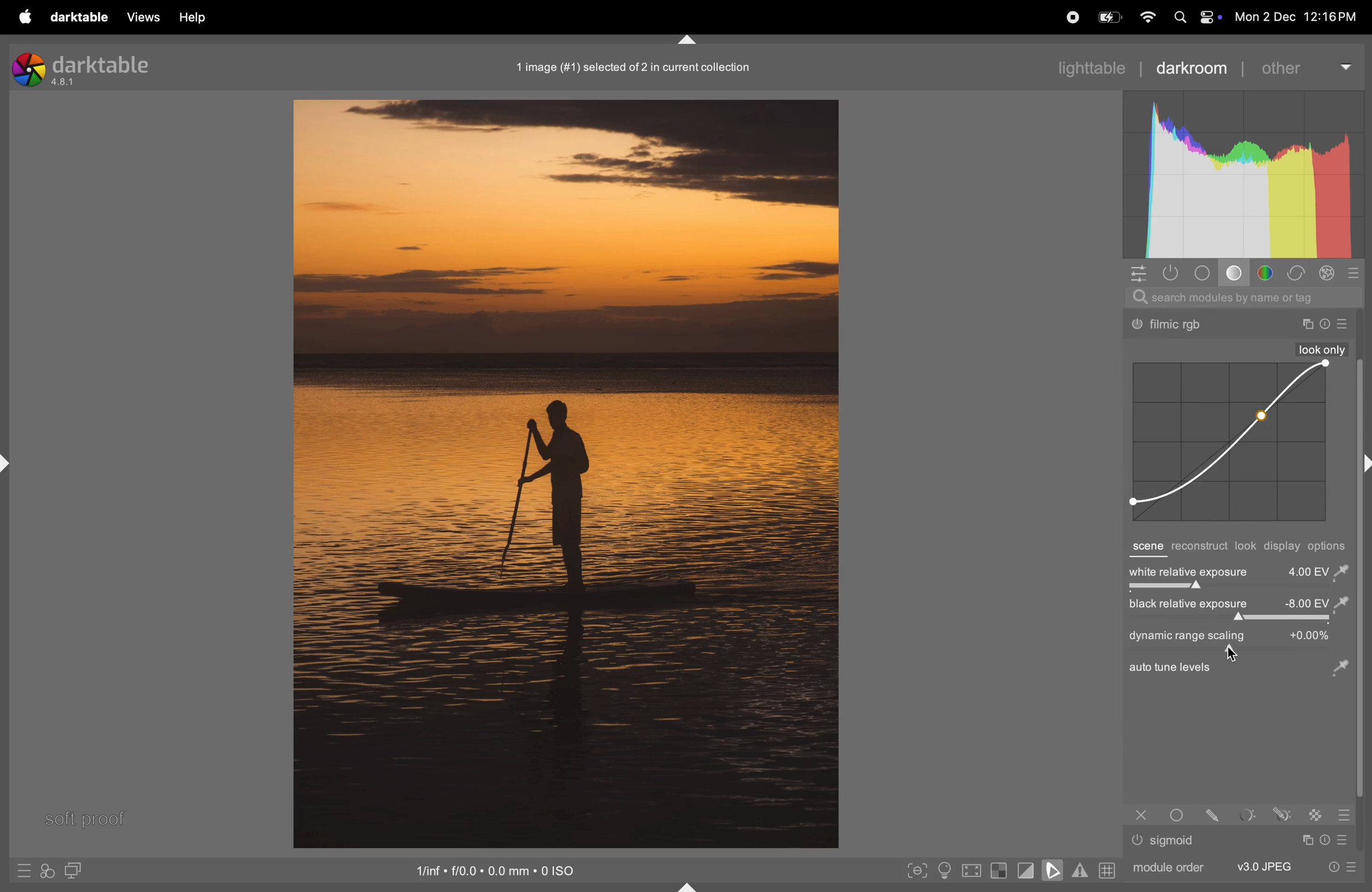 The height and width of the screenshot is (892, 1372). Describe the element at coordinates (1216, 814) in the screenshot. I see `` at that location.